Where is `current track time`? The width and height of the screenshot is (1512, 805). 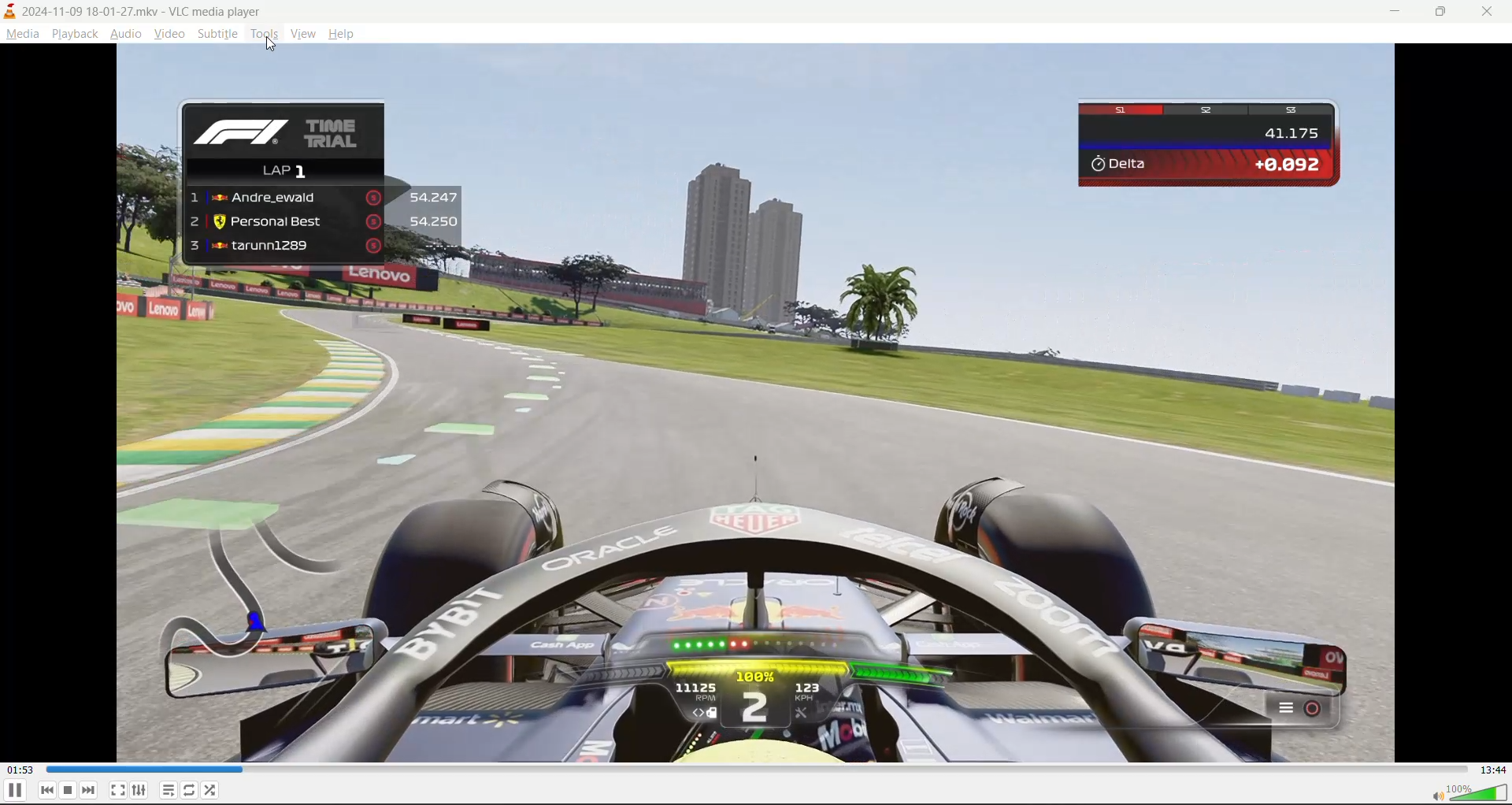 current track time is located at coordinates (19, 770).